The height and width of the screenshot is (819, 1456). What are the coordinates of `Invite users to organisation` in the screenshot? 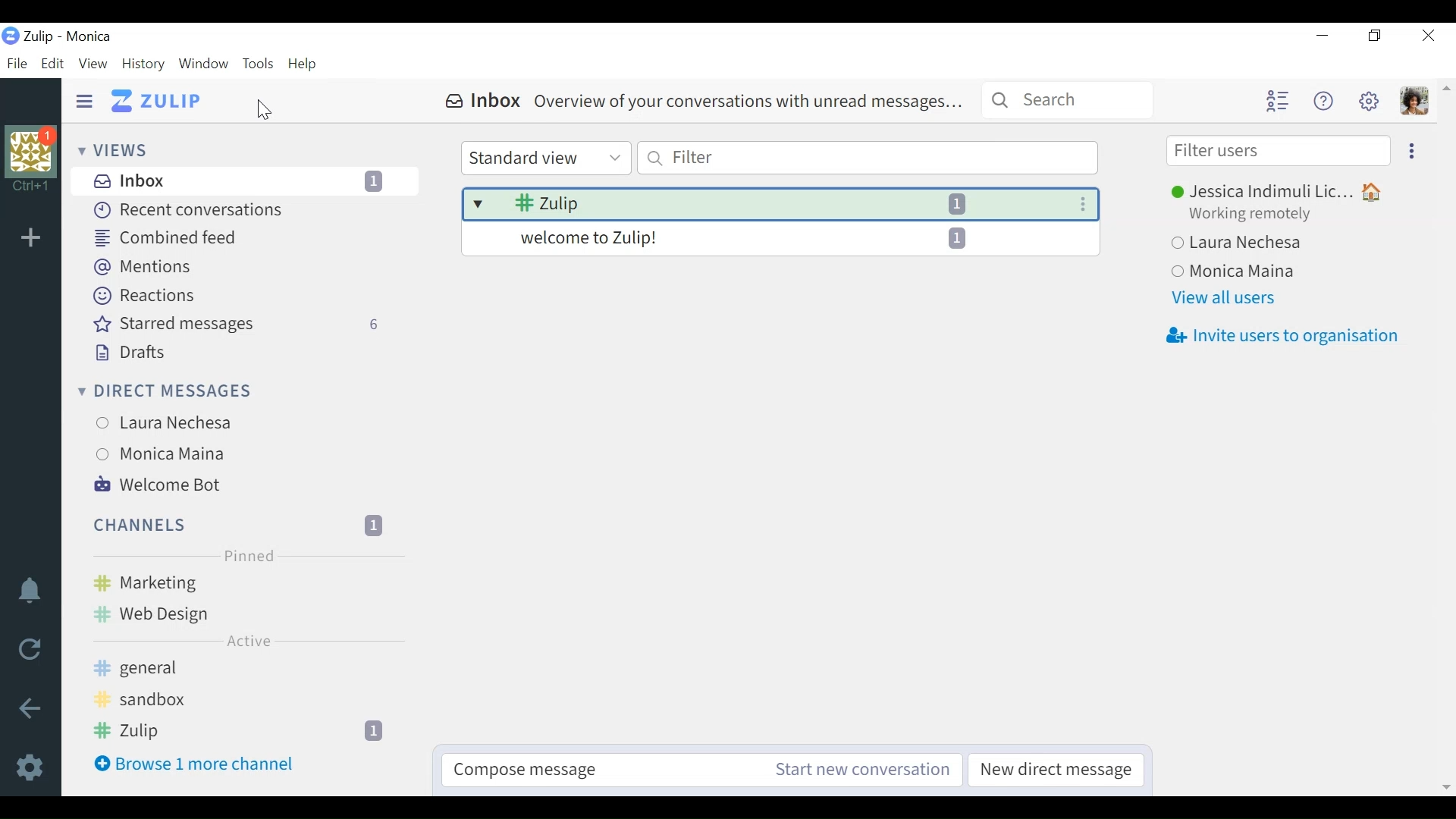 It's located at (1281, 337).